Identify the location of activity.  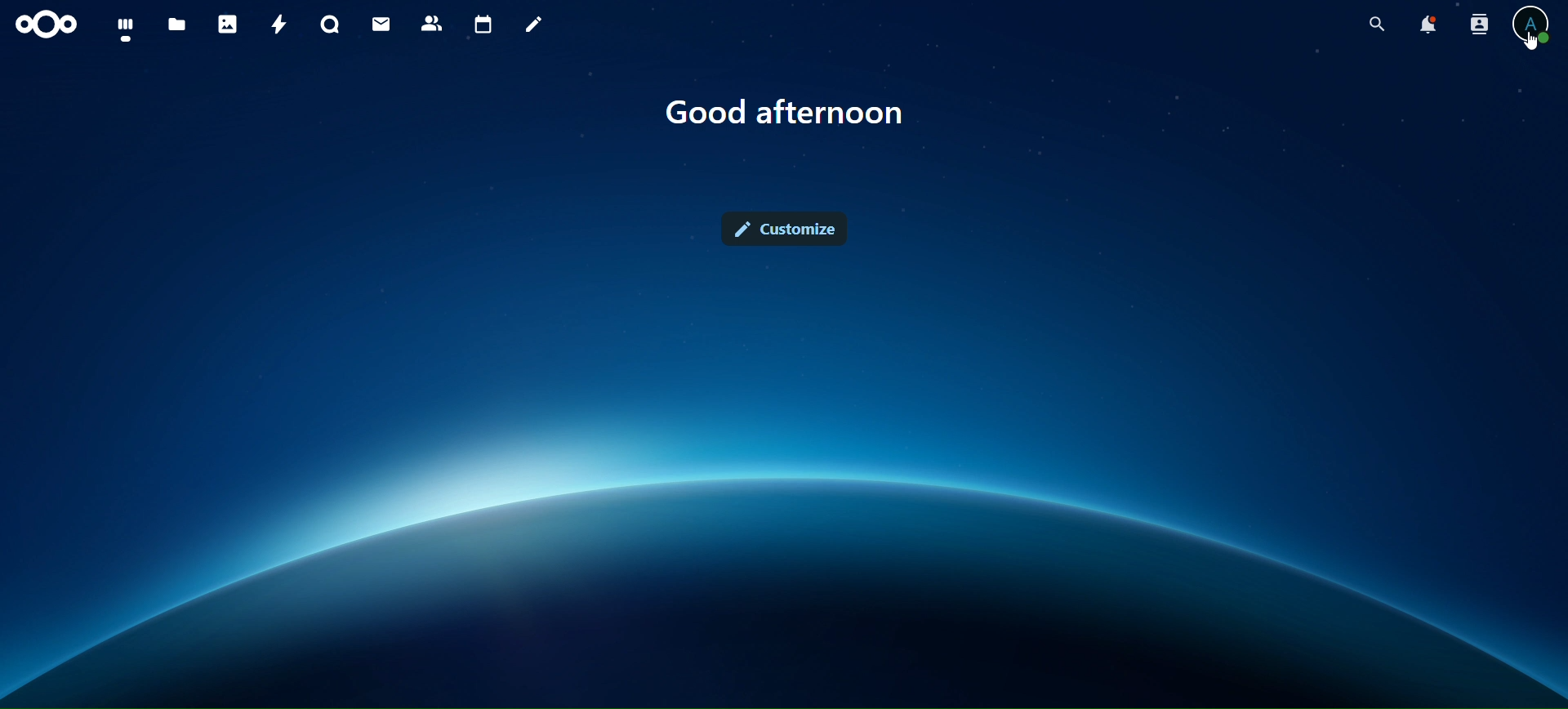
(275, 24).